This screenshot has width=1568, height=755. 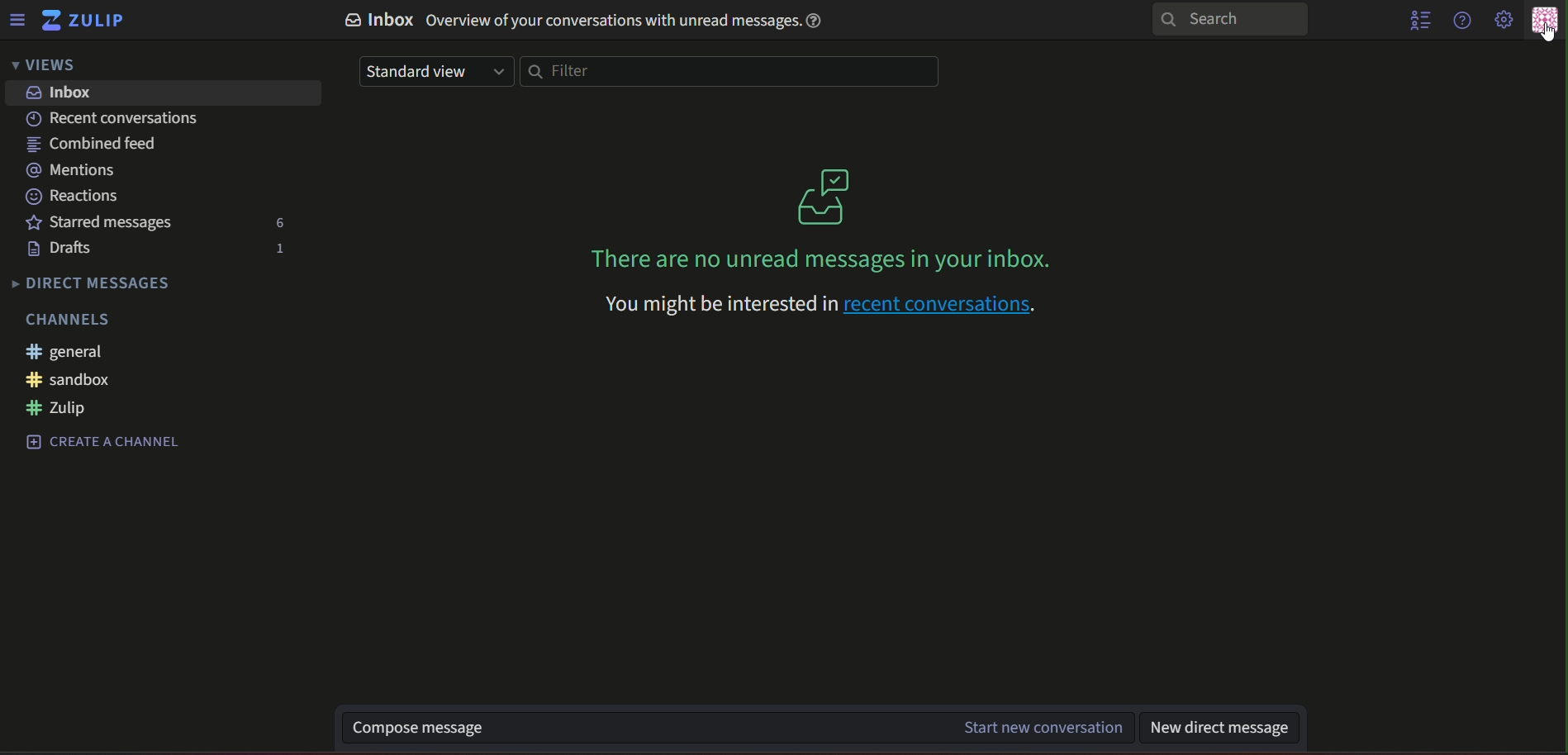 What do you see at coordinates (107, 443) in the screenshot?
I see `text` at bounding box center [107, 443].